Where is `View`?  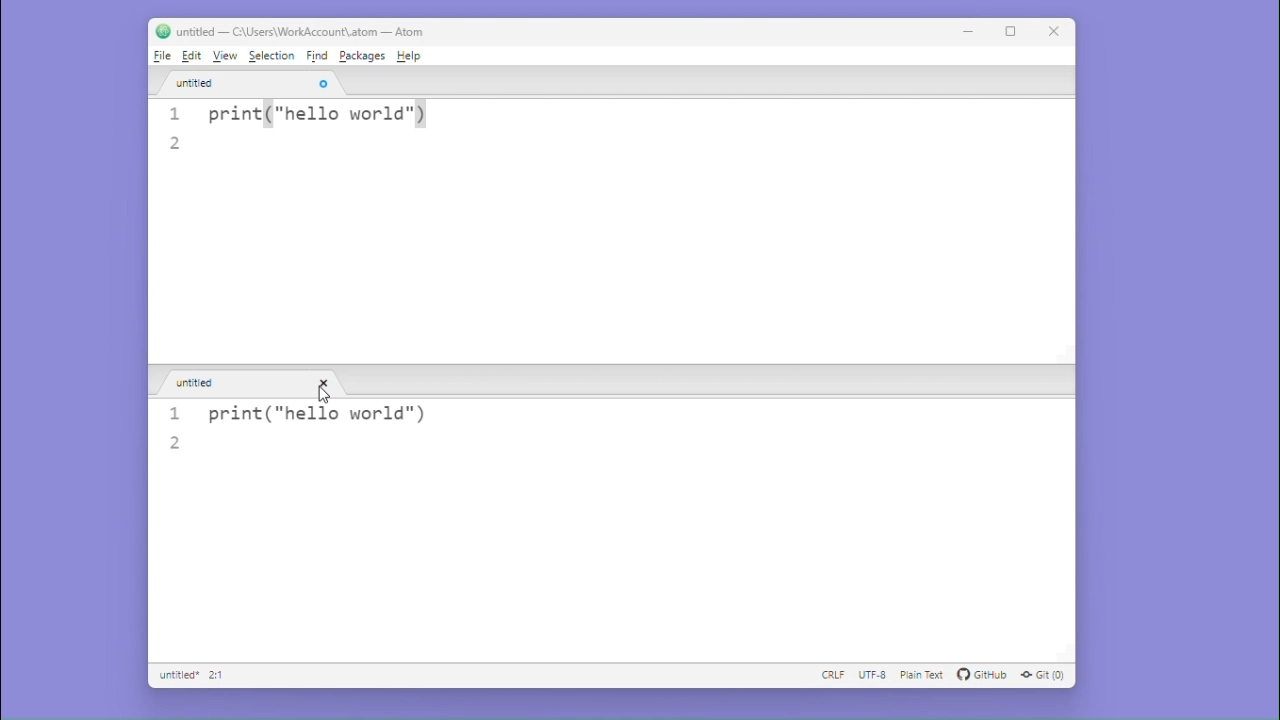
View is located at coordinates (227, 57).